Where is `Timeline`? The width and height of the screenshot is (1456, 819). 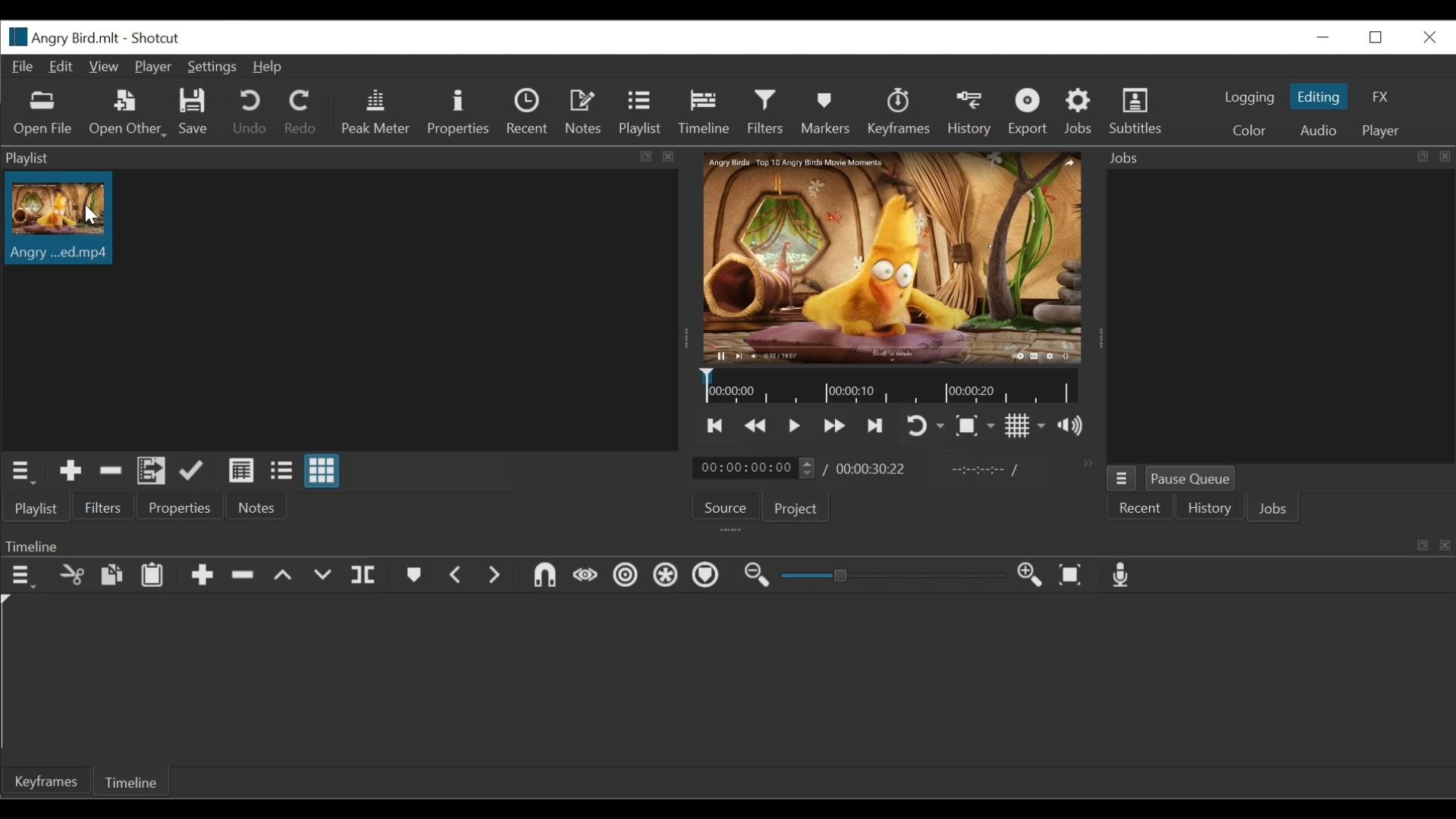 Timeline is located at coordinates (726, 544).